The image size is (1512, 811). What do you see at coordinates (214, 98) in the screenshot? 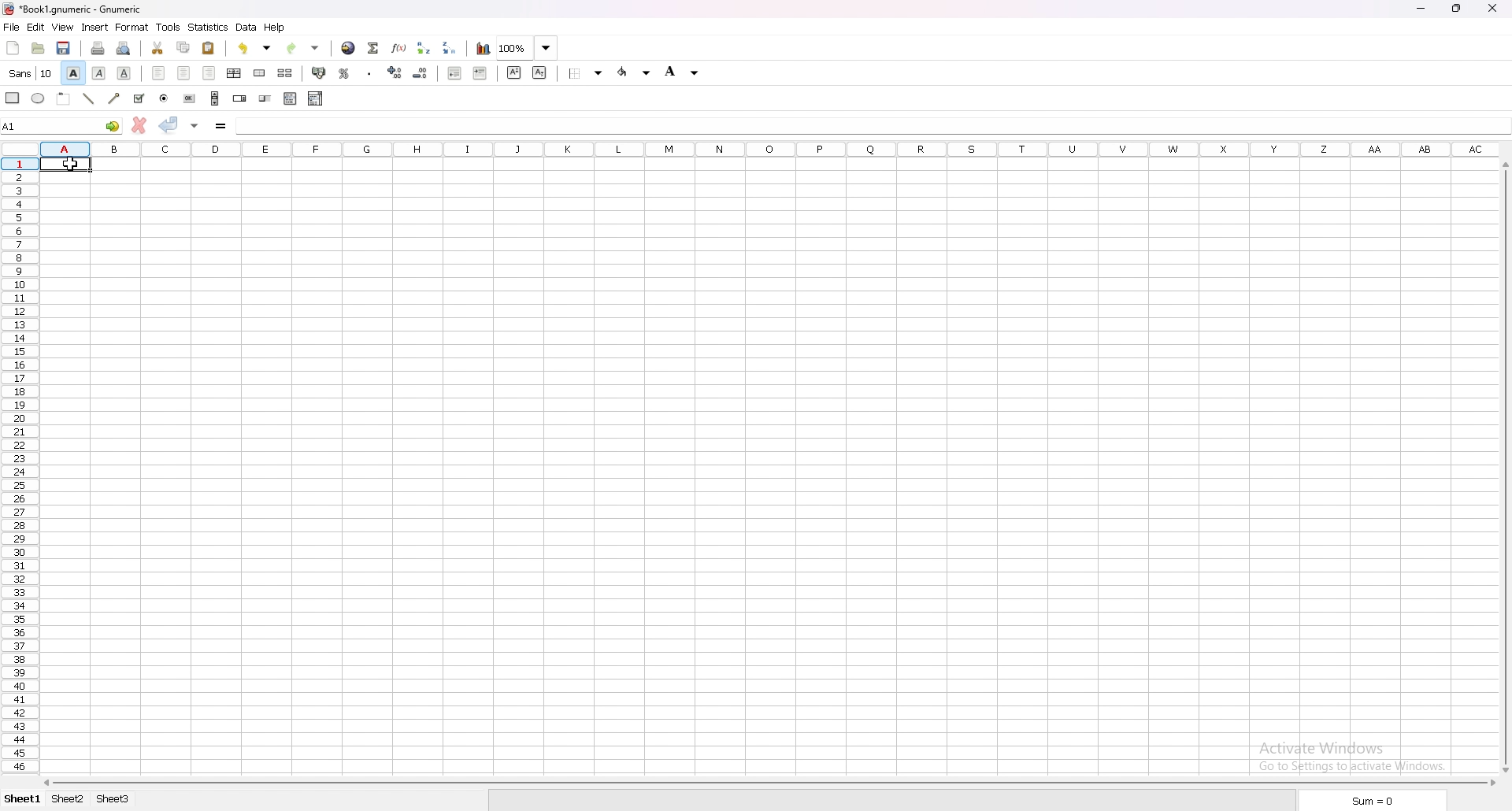
I see `scroll bar` at bounding box center [214, 98].